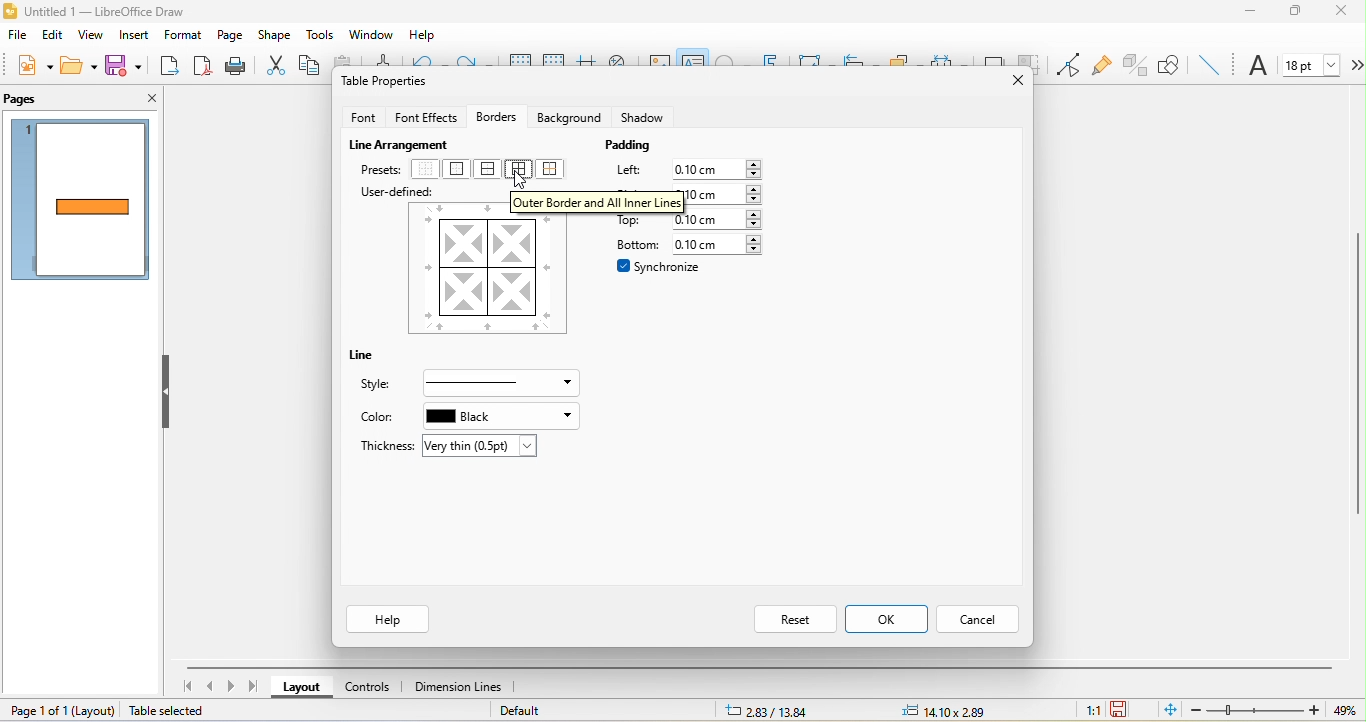  I want to click on borders, so click(496, 113).